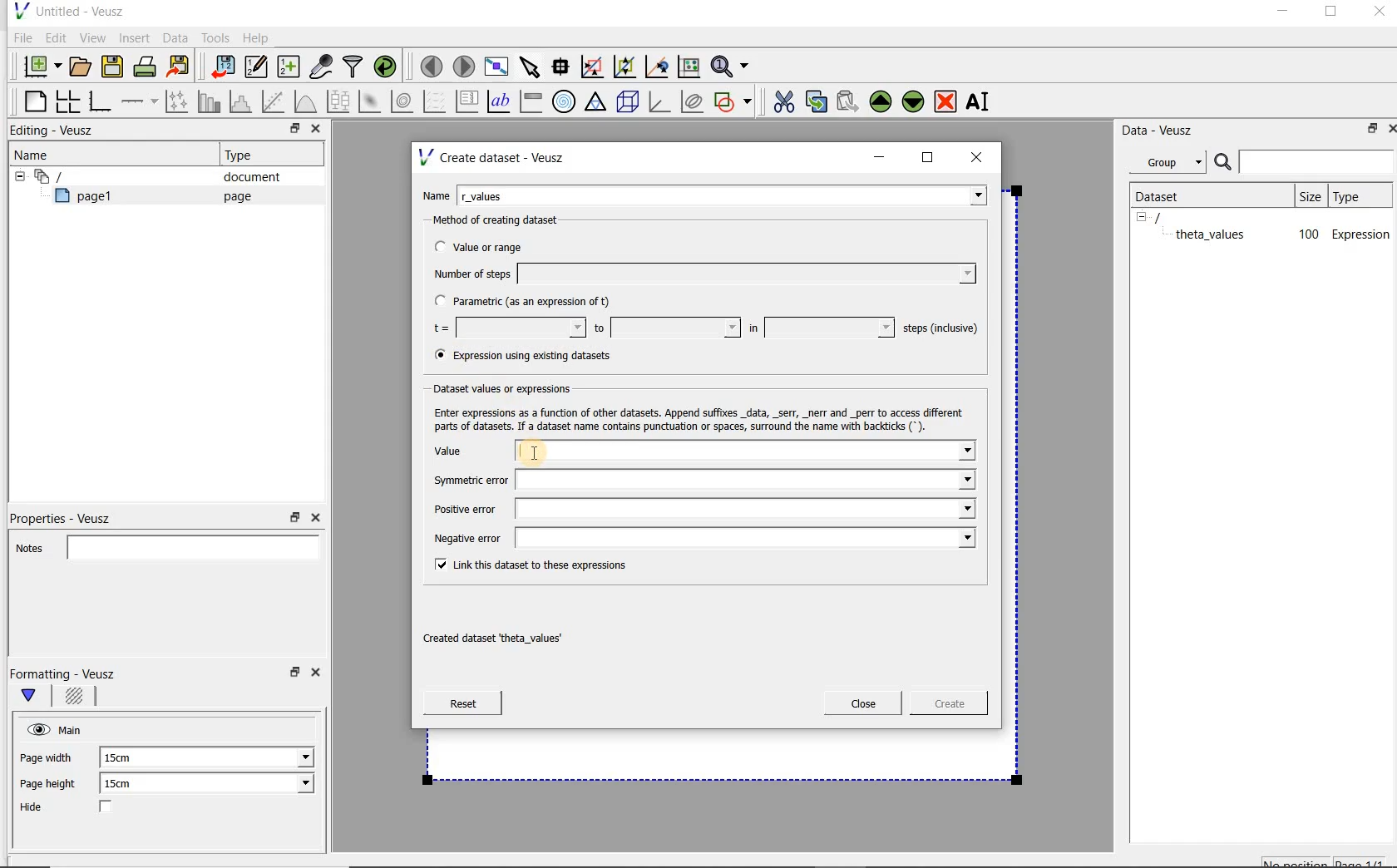  Describe the element at coordinates (1331, 14) in the screenshot. I see `maximize` at that location.